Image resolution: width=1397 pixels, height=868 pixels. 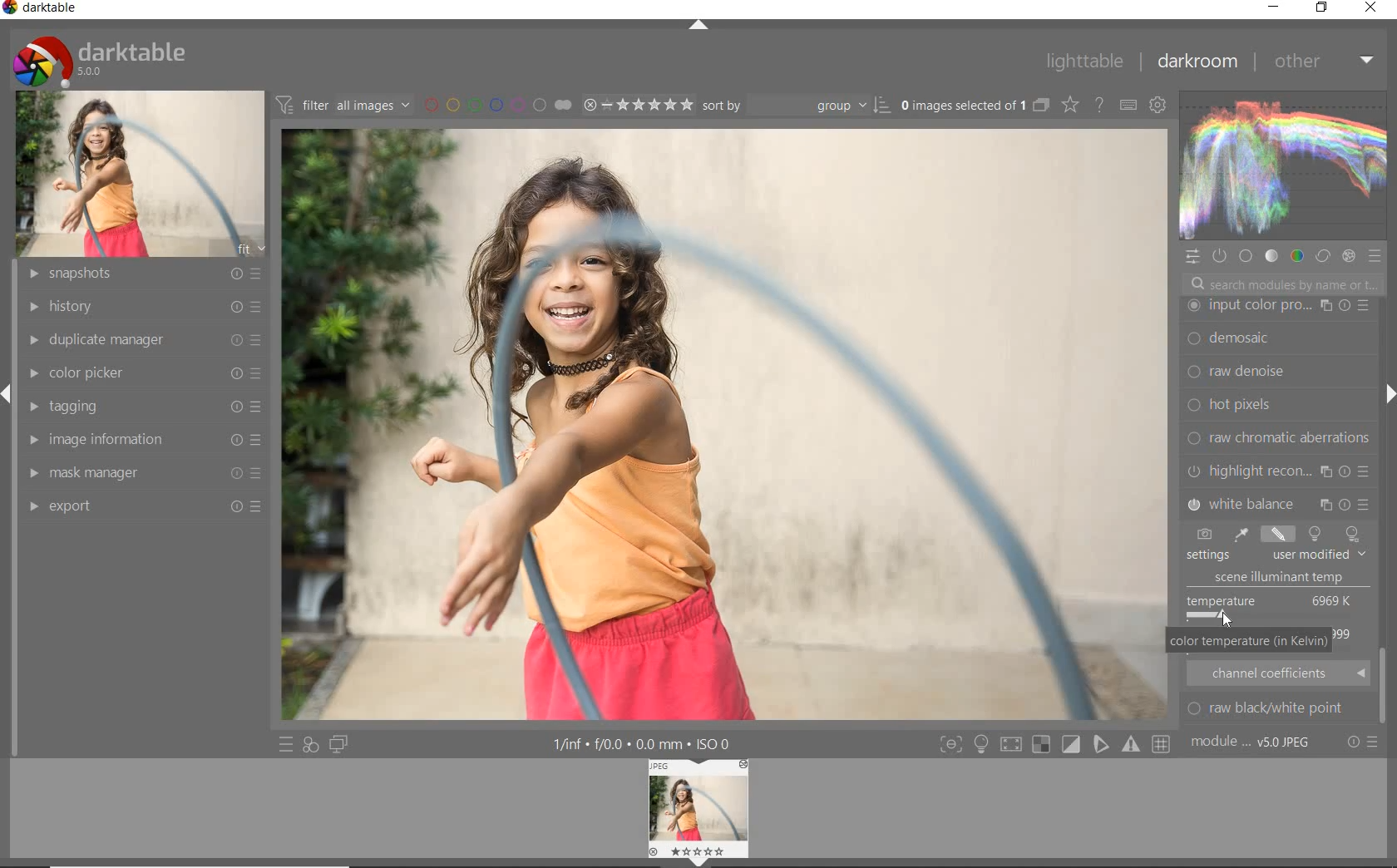 I want to click on toggle mode , so click(x=1014, y=743).